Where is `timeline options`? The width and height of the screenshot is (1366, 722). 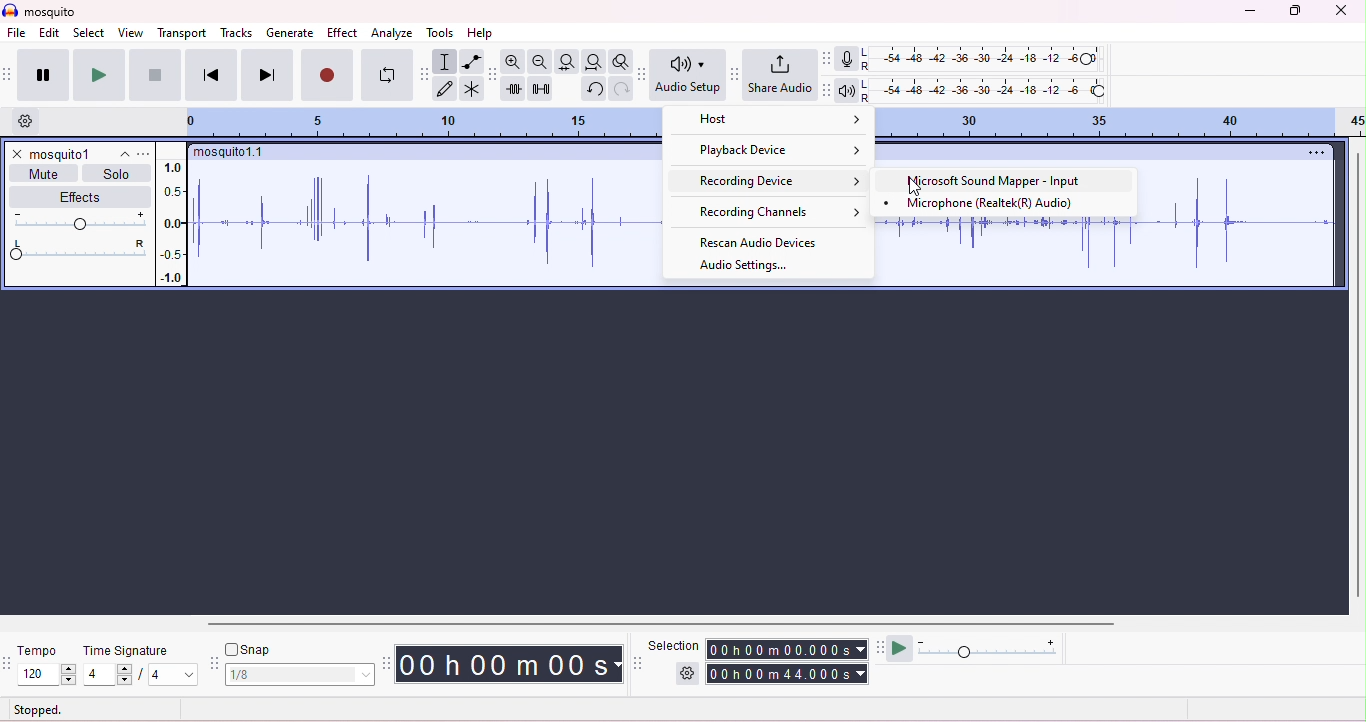
timeline options is located at coordinates (28, 121).